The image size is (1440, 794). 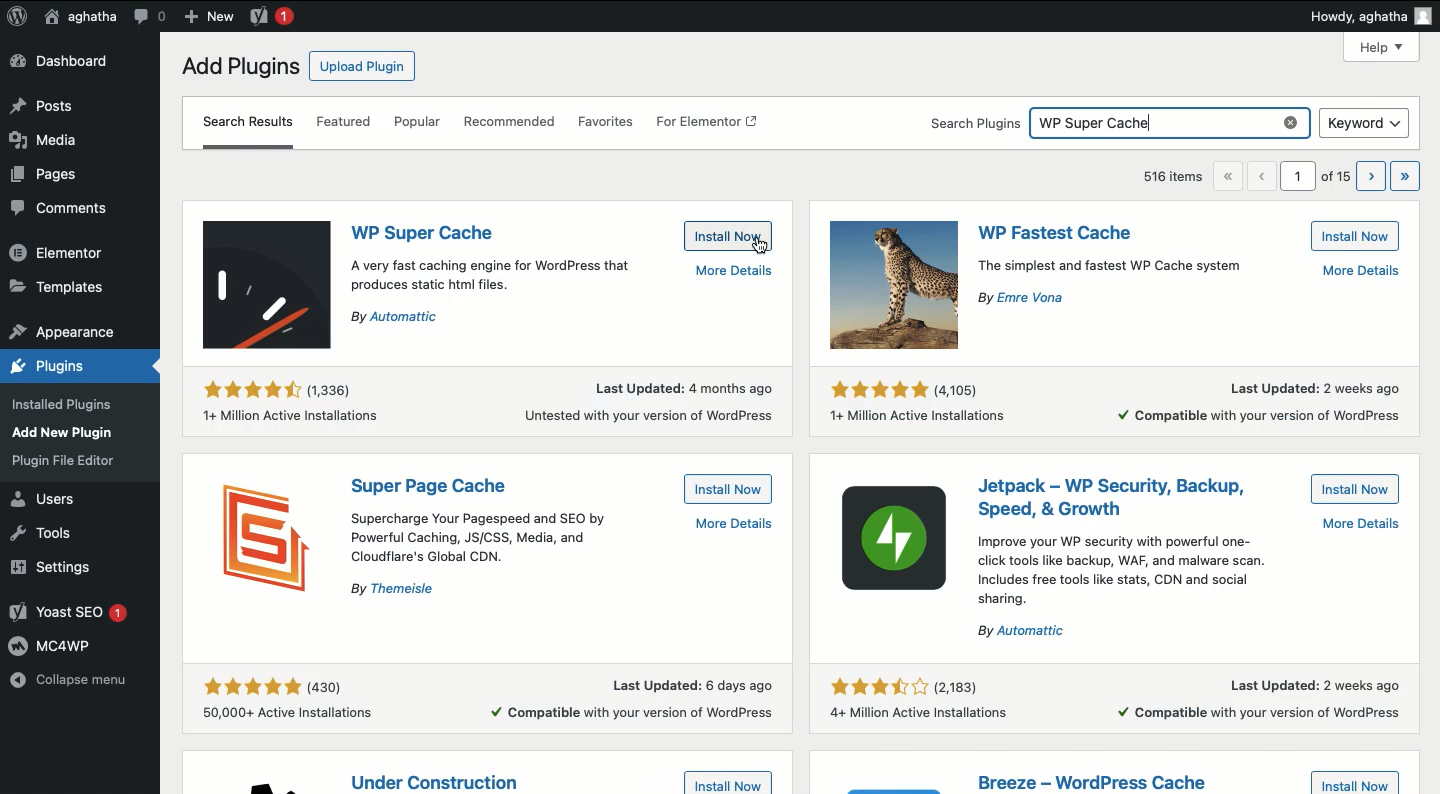 I want to click on Improve your WP security with powerful one-click tools like backup, WAF, and malware scan.Includes free tools like stats, CDN and social sharing.By Automattic, so click(x=1192, y=581).